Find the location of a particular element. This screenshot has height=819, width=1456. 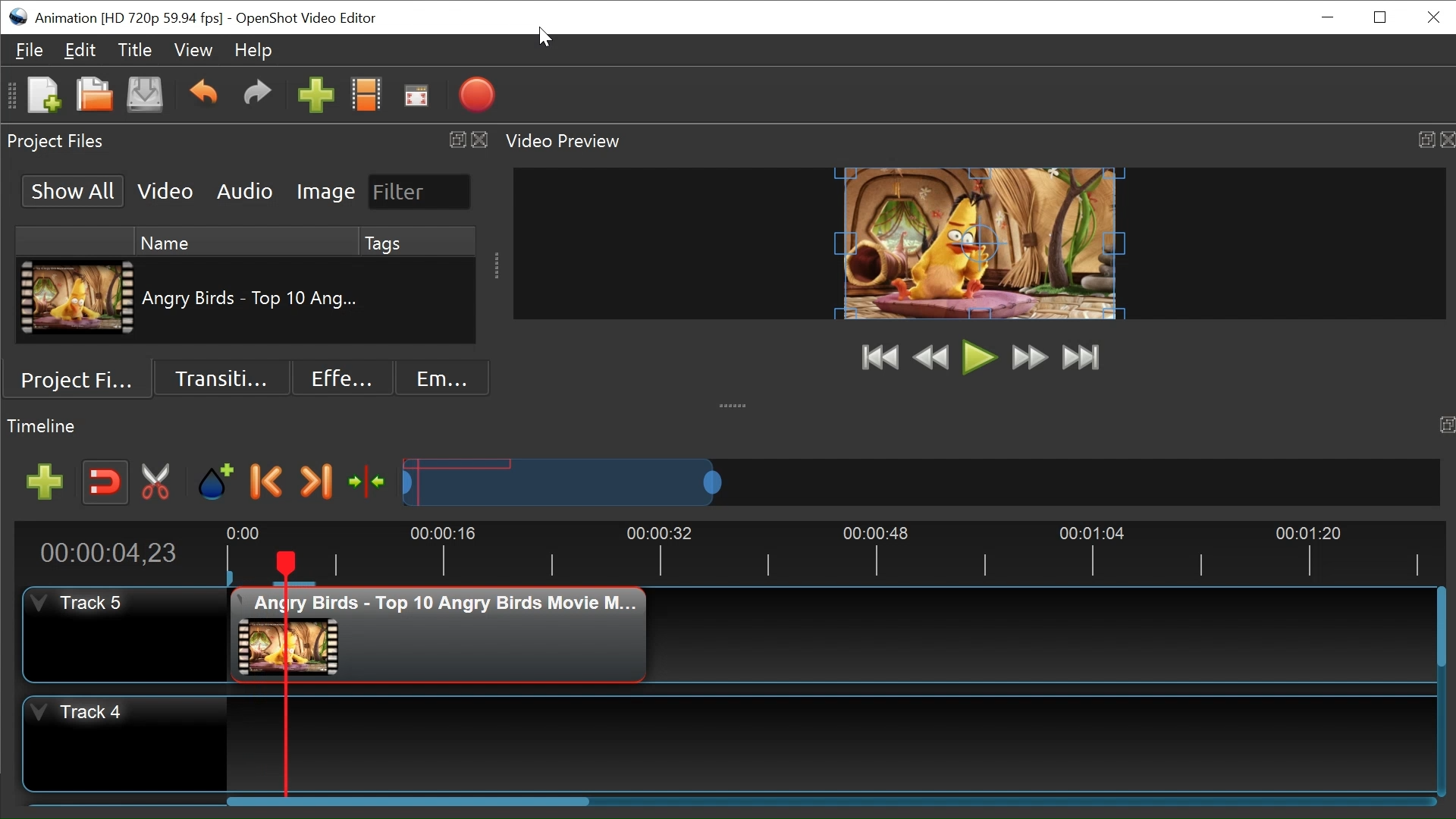

Undo is located at coordinates (206, 95).